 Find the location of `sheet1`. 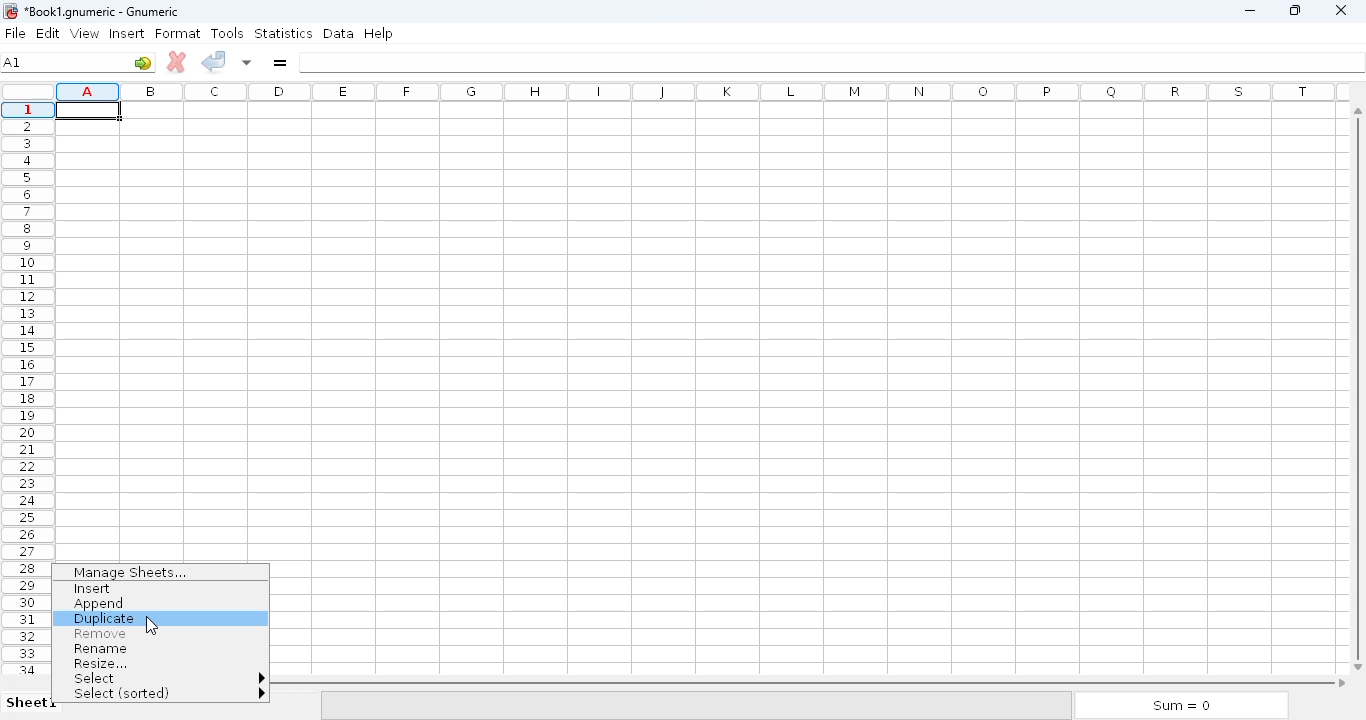

sheet1 is located at coordinates (32, 702).